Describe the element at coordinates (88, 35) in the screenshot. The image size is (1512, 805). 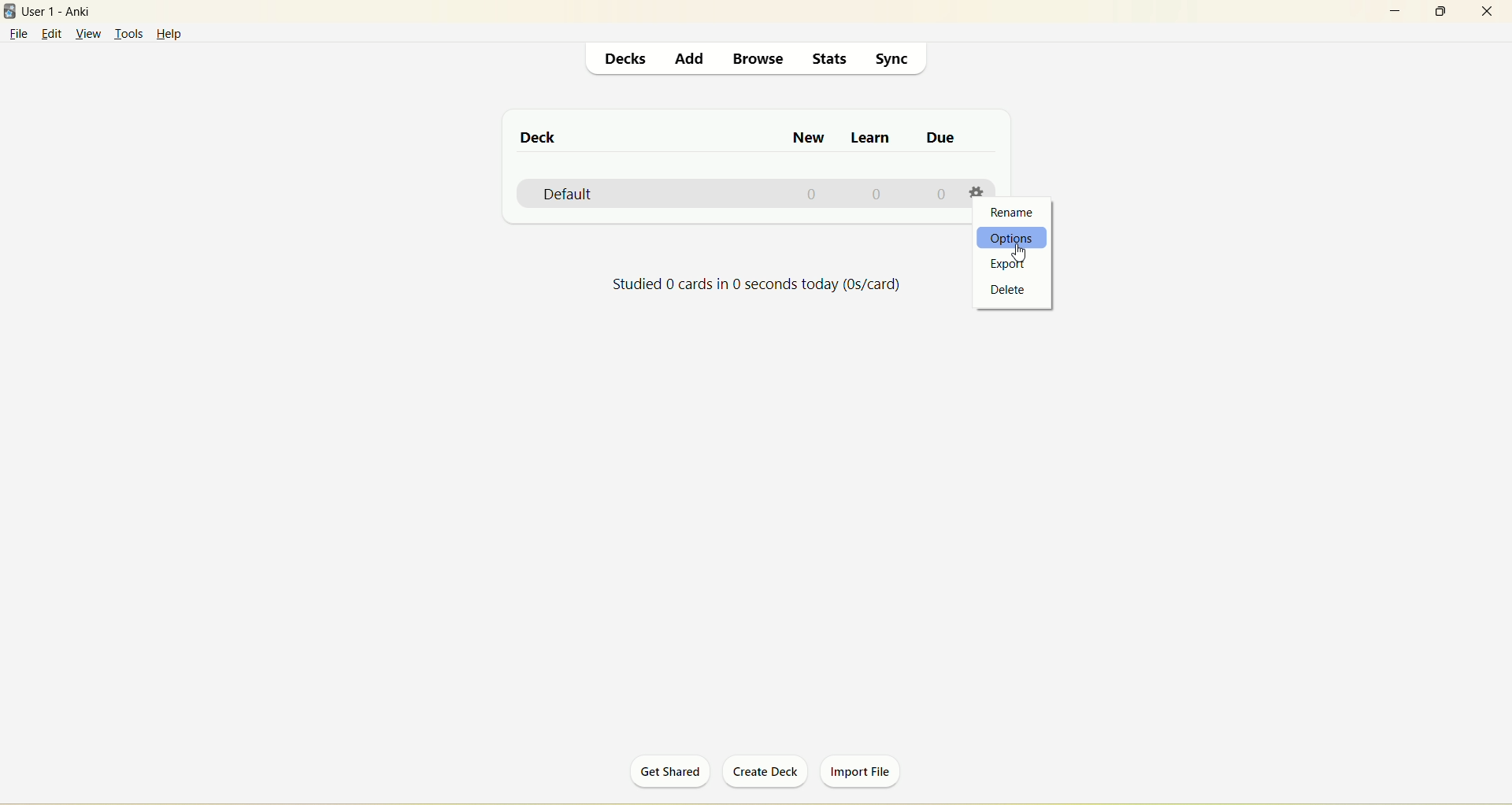
I see `view` at that location.